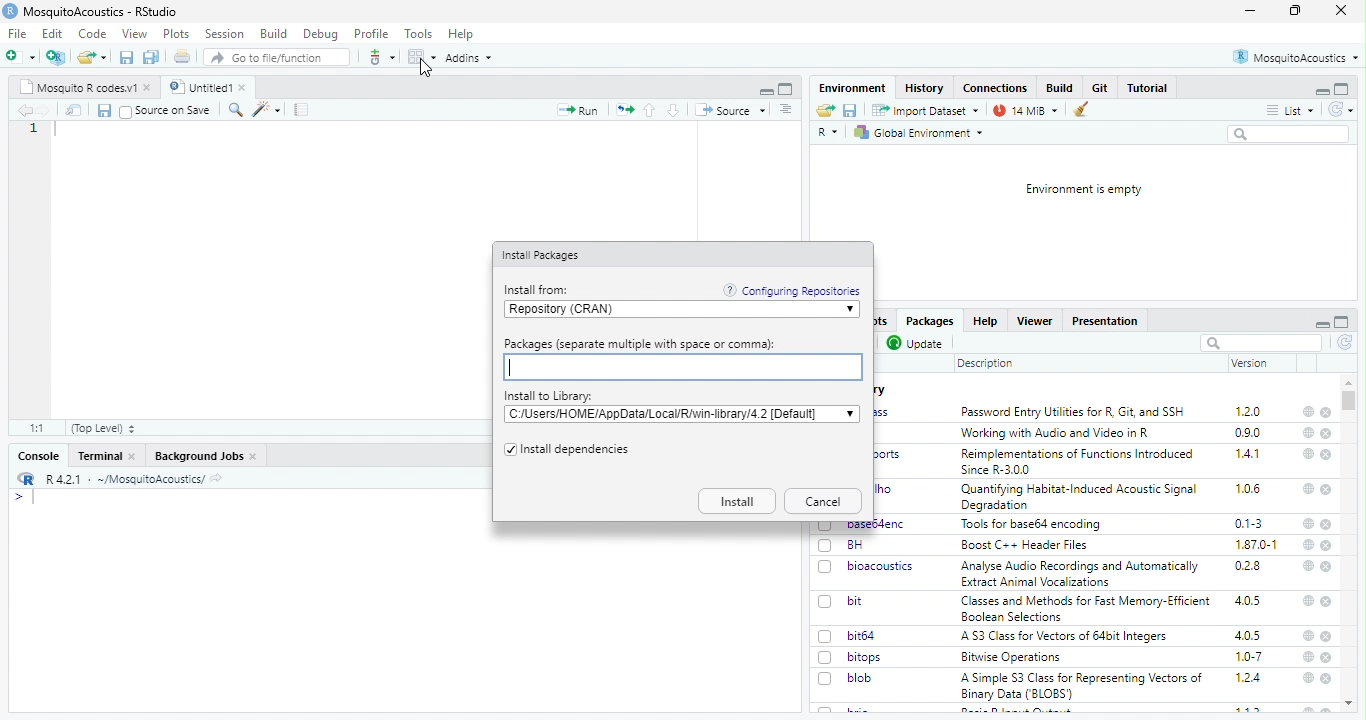 This screenshot has width=1366, height=720. I want to click on web, so click(1309, 678).